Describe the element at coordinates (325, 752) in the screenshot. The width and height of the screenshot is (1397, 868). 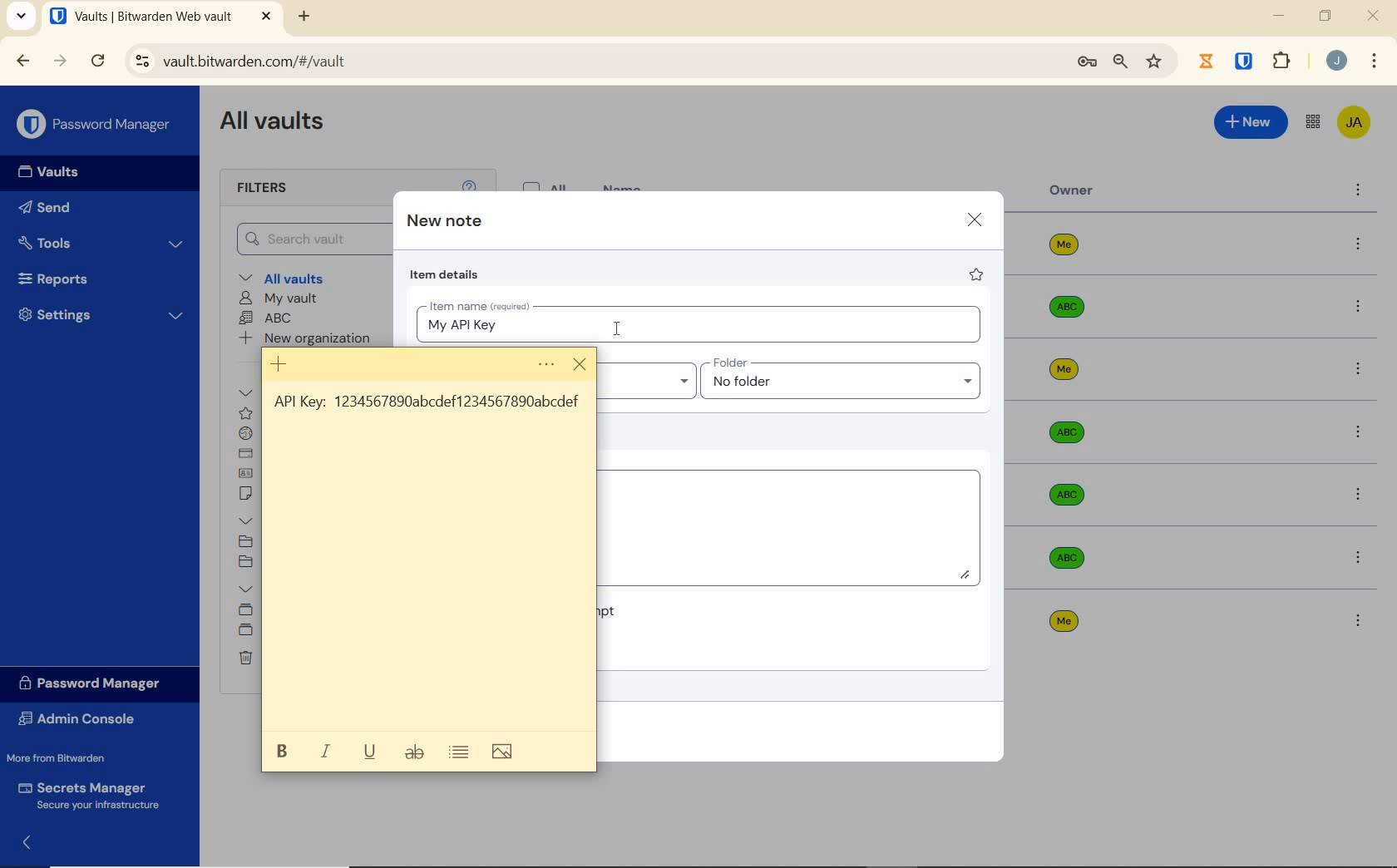
I see `italic` at that location.